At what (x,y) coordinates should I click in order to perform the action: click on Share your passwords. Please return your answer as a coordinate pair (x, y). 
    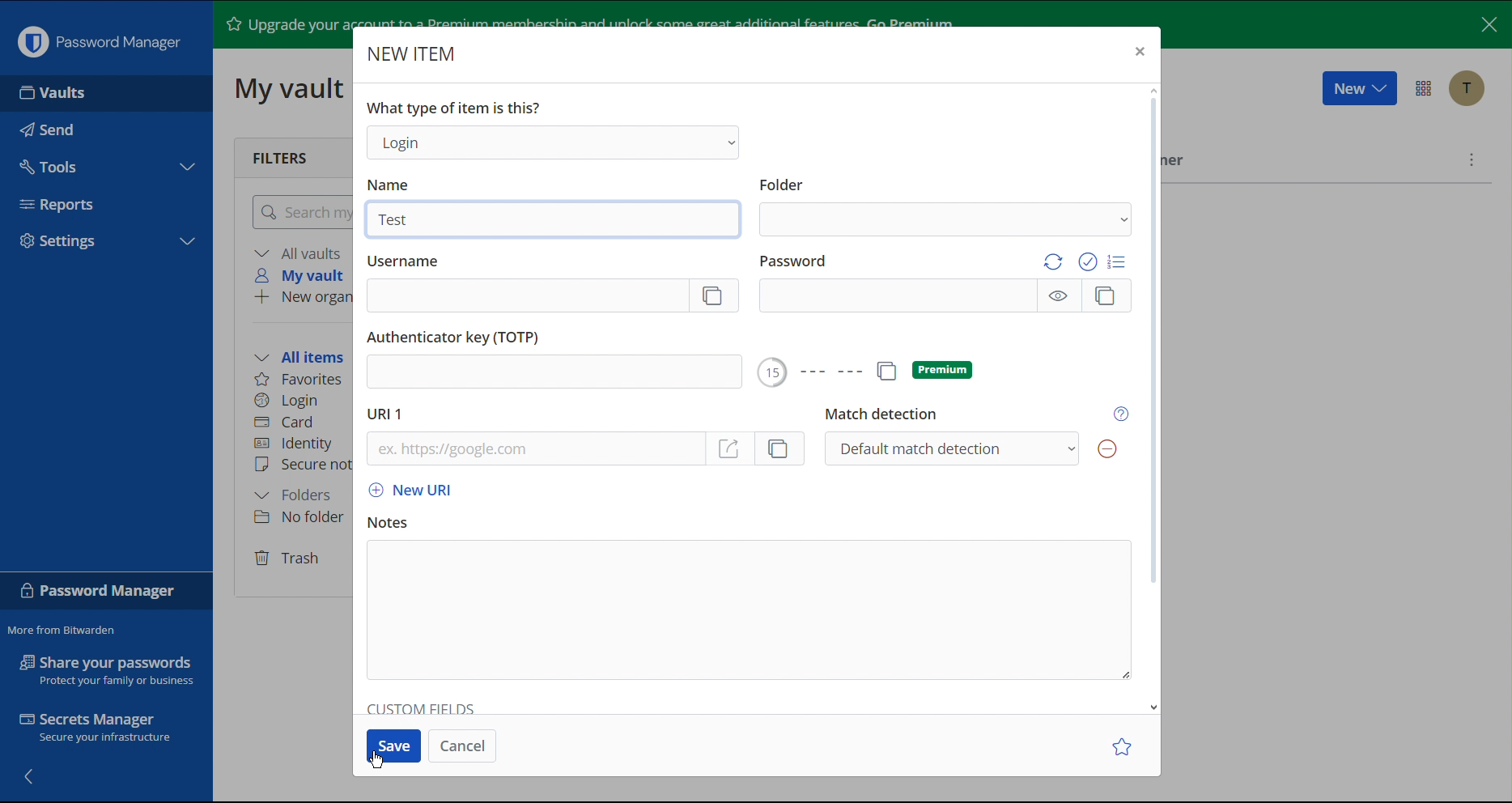
    Looking at the image, I should click on (106, 659).